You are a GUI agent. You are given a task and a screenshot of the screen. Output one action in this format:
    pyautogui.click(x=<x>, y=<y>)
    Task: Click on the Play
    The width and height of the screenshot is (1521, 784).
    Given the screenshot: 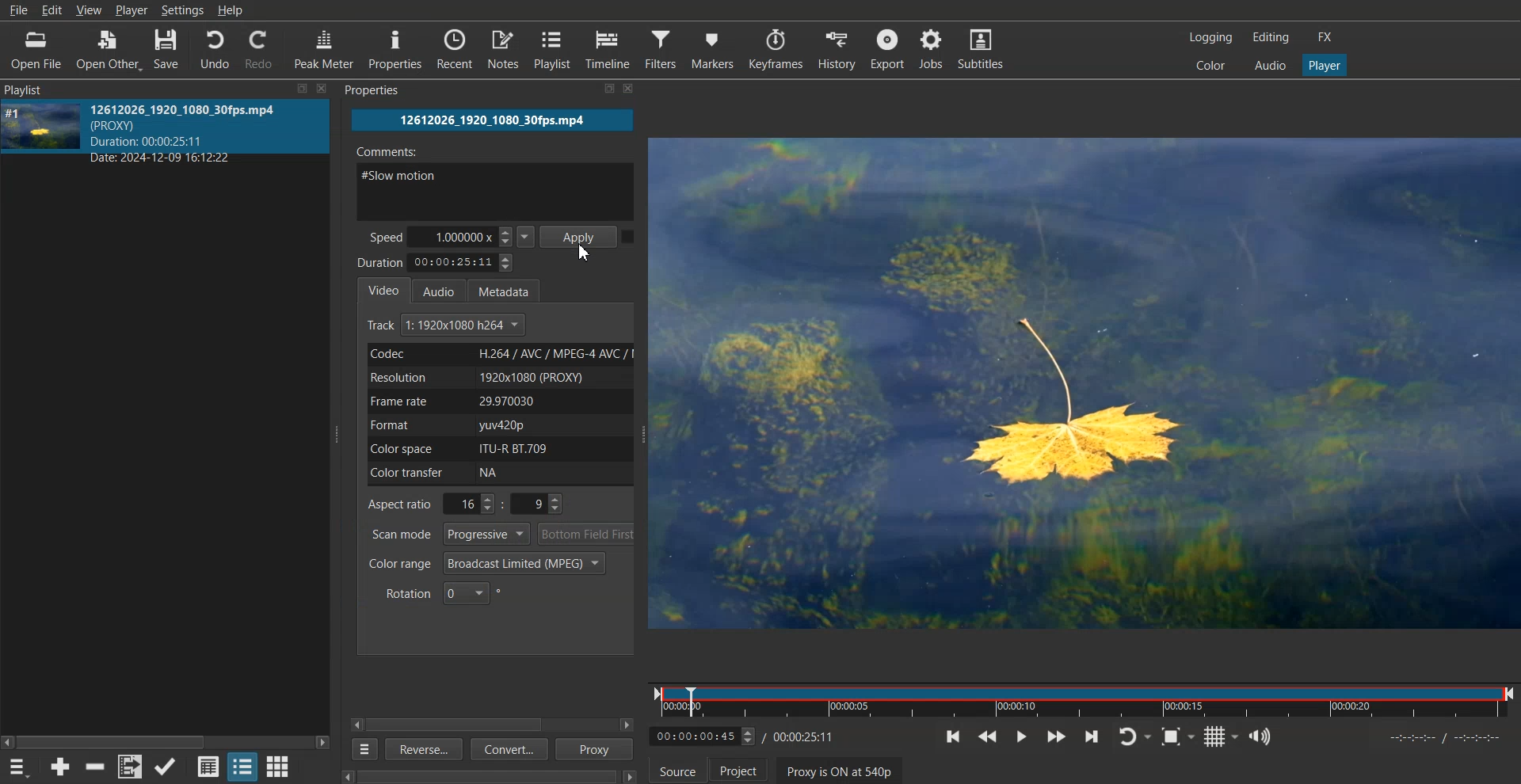 What is the action you would take?
    pyautogui.click(x=1020, y=736)
    